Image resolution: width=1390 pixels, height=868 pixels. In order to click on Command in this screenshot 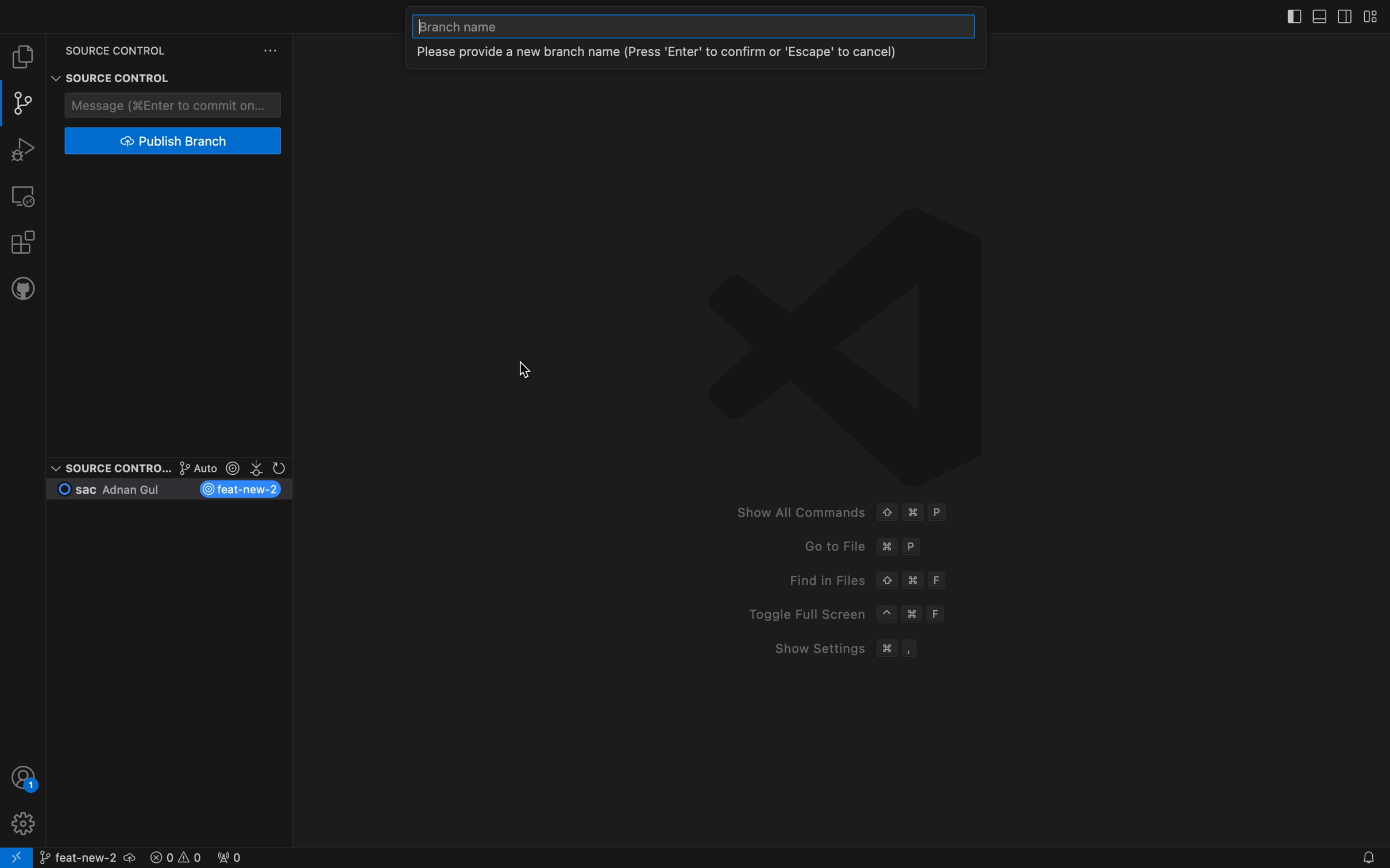, I will do `click(913, 513)`.